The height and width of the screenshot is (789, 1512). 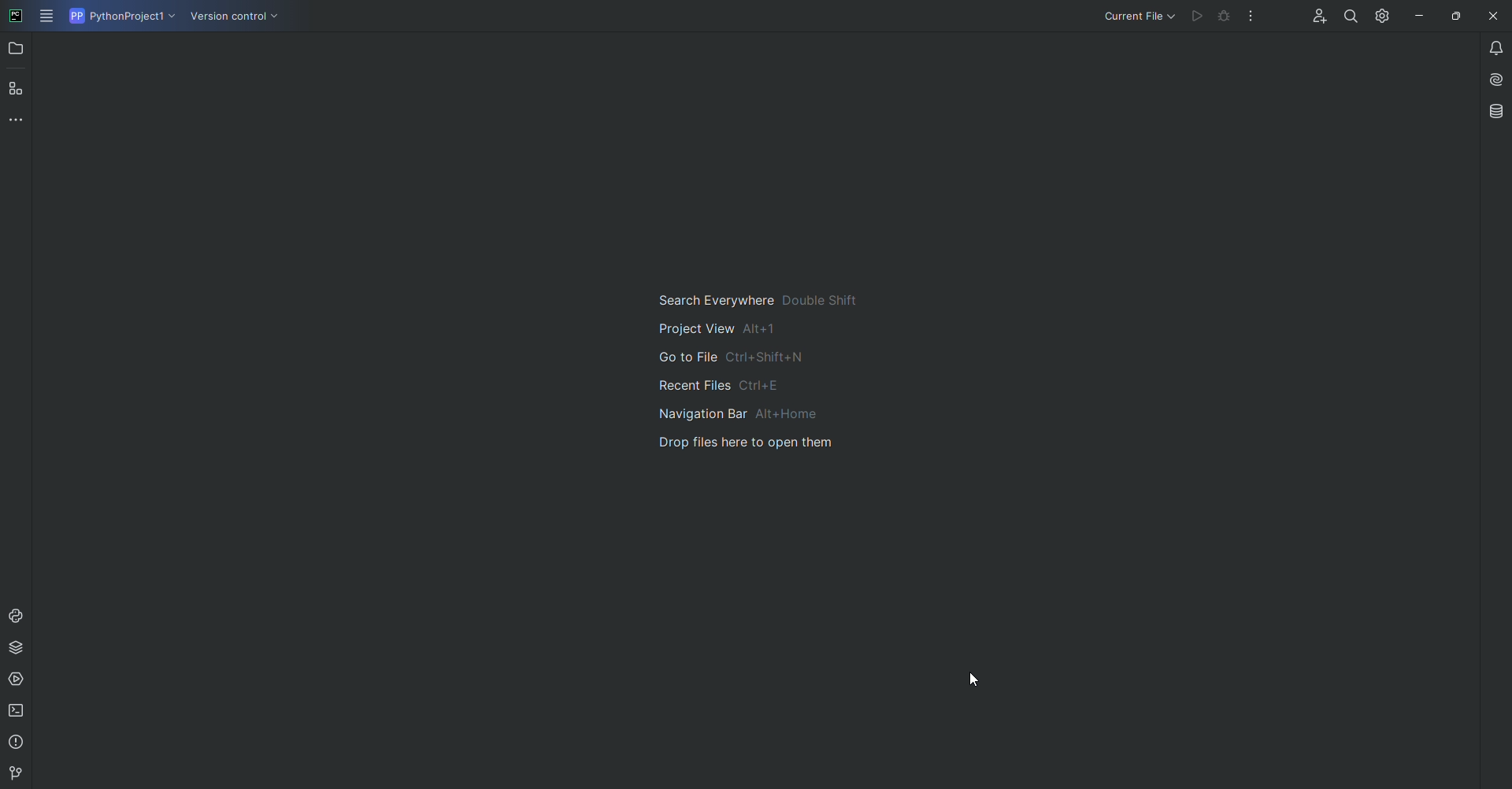 I want to click on Problems, so click(x=18, y=743).